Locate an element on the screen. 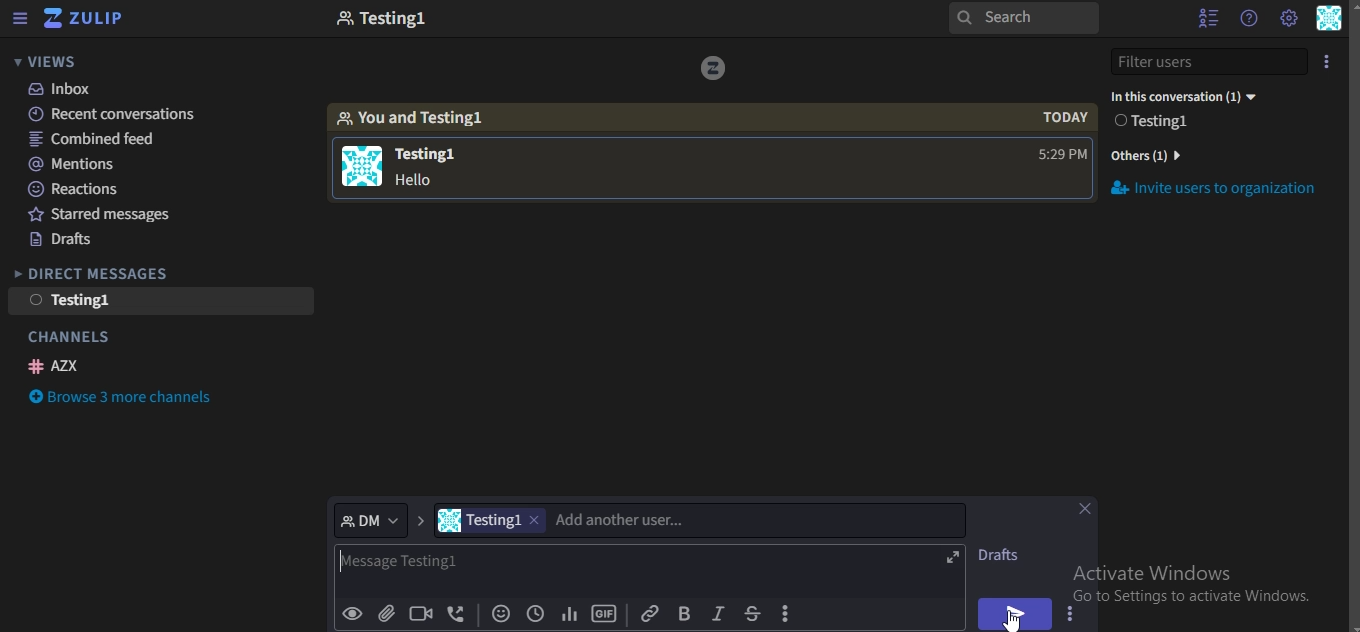 This screenshot has width=1360, height=632. starred messages is located at coordinates (108, 217).